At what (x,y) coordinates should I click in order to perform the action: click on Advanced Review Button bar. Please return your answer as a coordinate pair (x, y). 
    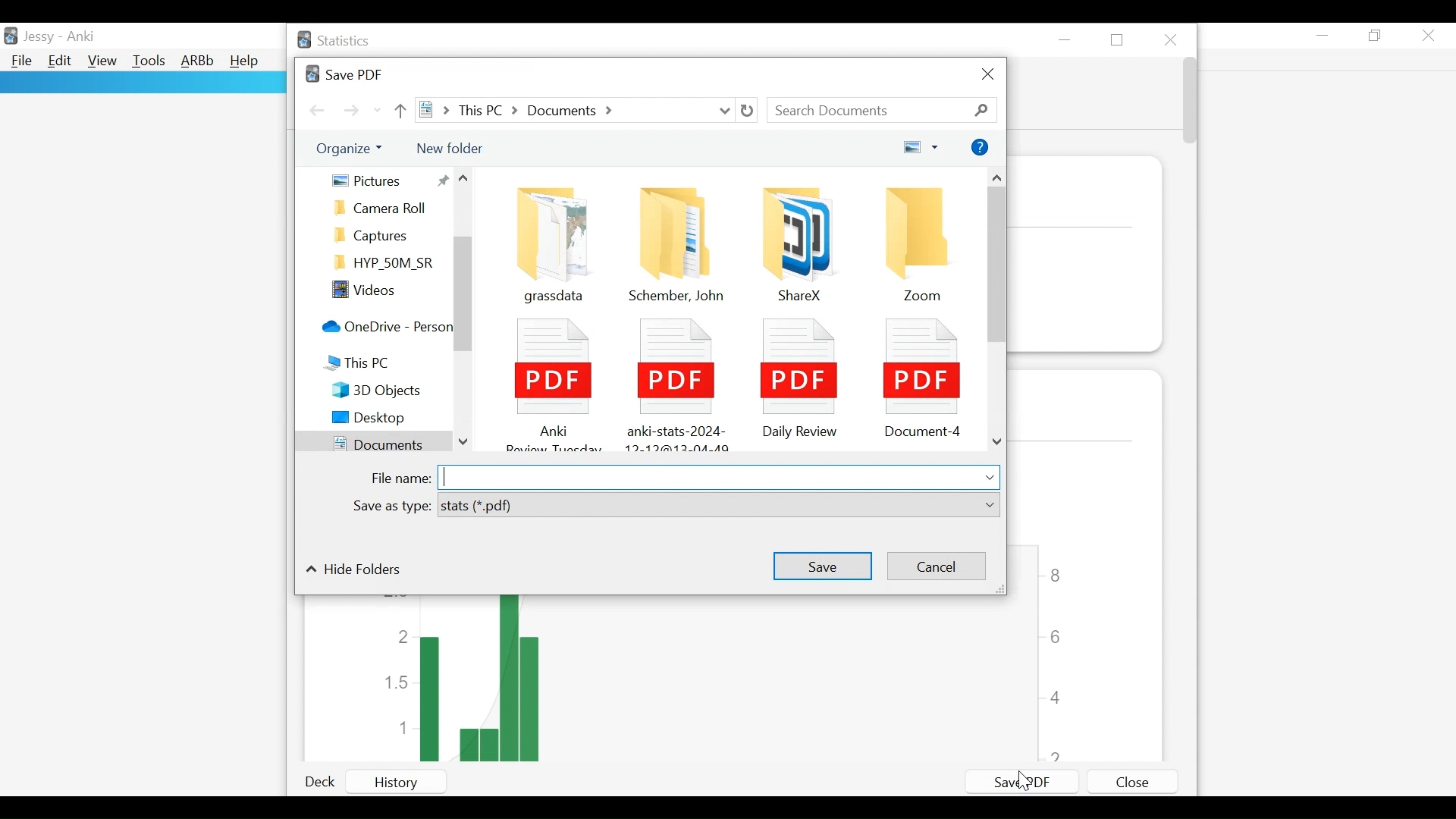
    Looking at the image, I should click on (197, 61).